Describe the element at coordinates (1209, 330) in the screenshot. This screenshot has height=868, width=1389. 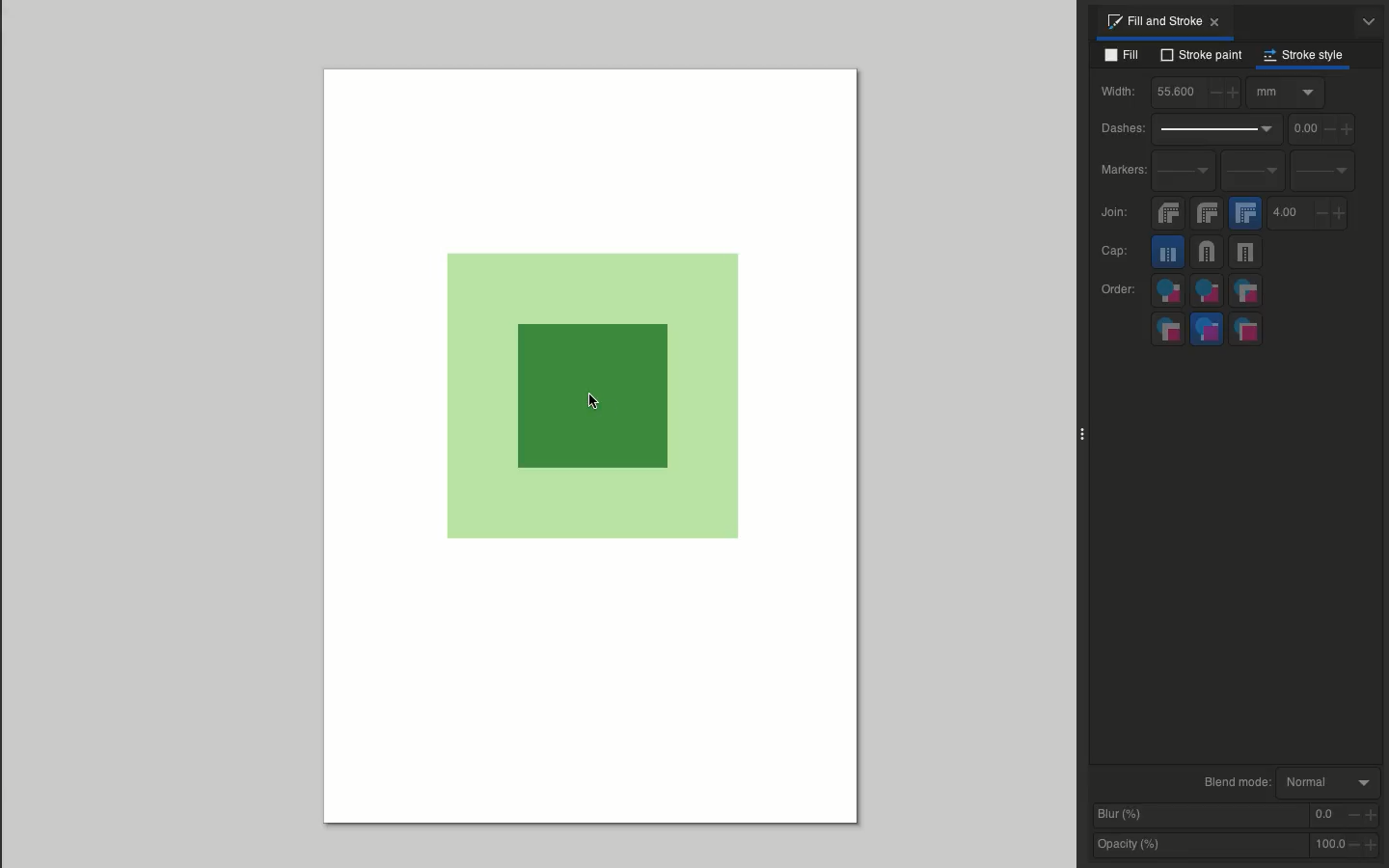
I see `Stroke, markers, fill` at that location.